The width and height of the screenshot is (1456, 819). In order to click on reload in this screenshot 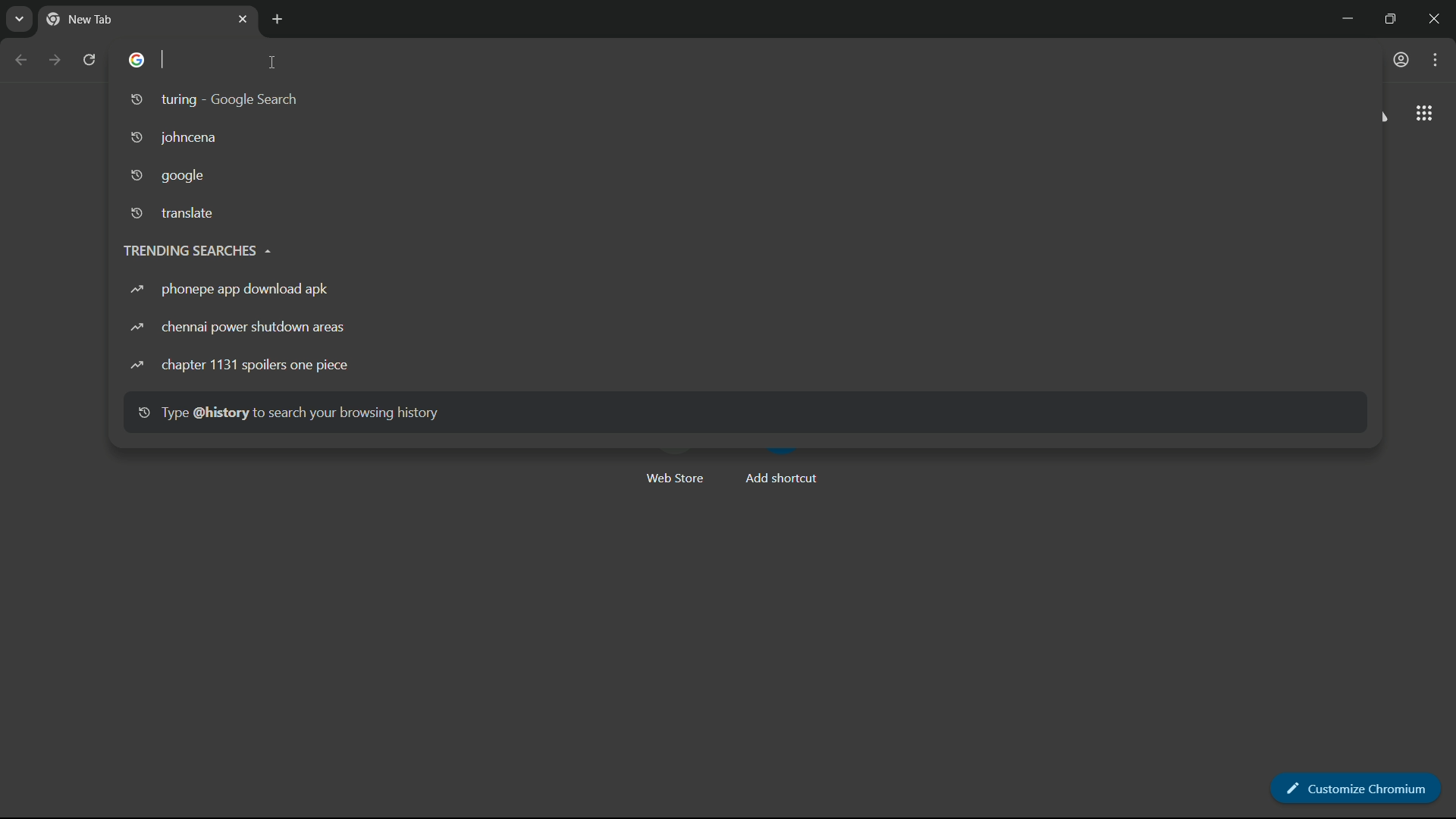, I will do `click(88, 58)`.